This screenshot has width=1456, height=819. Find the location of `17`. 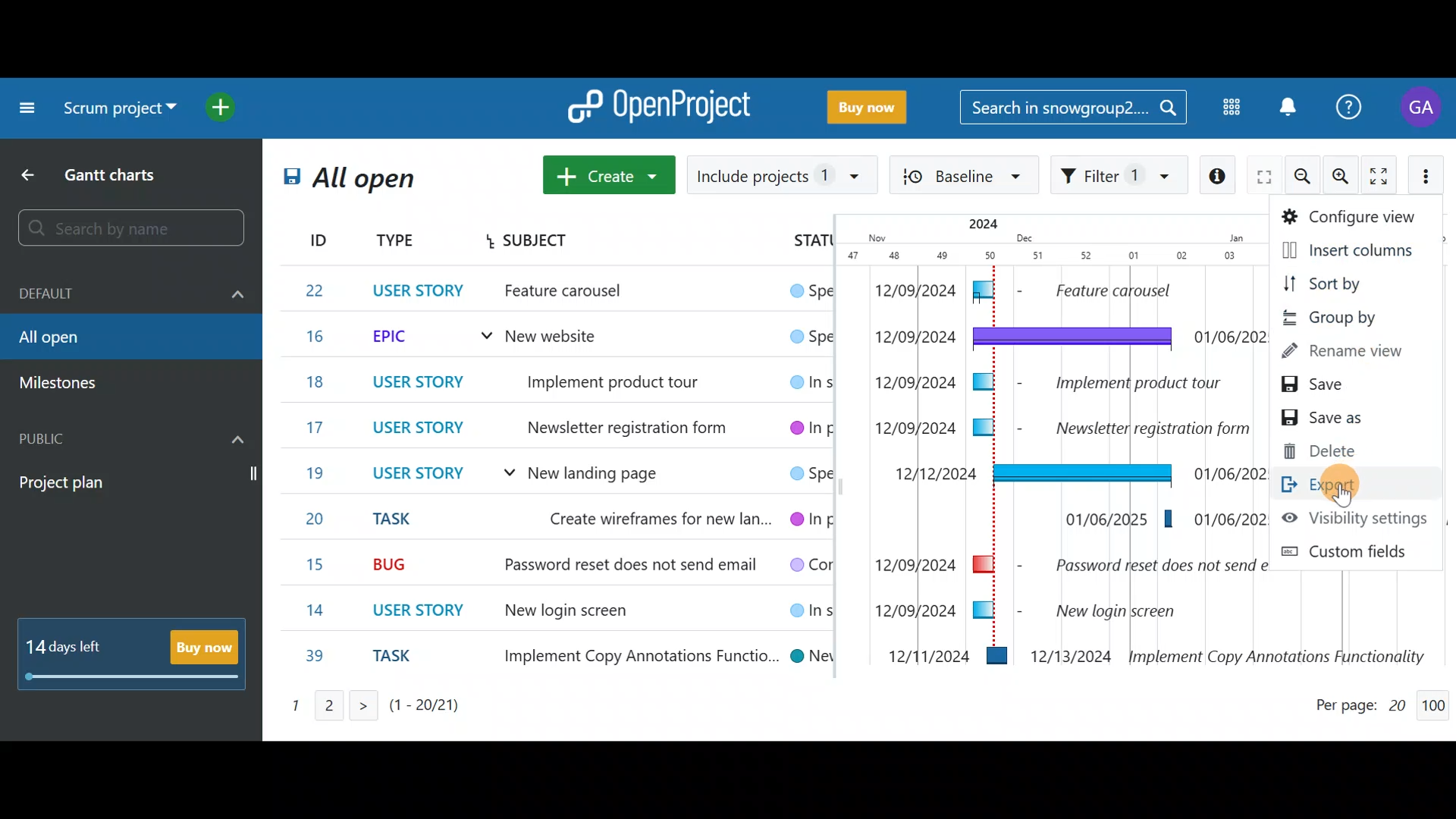

17 is located at coordinates (315, 428).